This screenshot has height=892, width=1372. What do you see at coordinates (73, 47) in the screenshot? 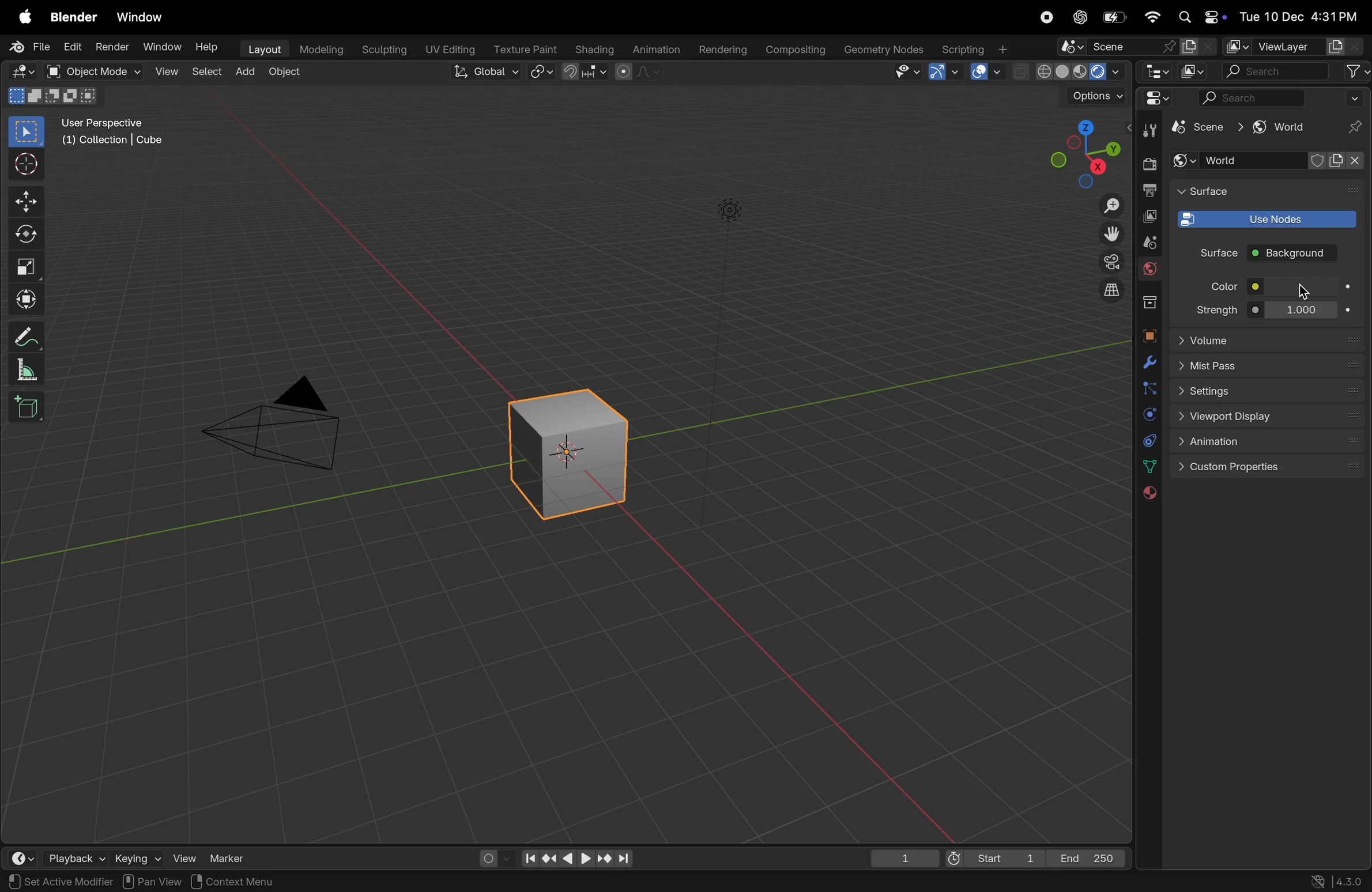
I see `Edit` at bounding box center [73, 47].